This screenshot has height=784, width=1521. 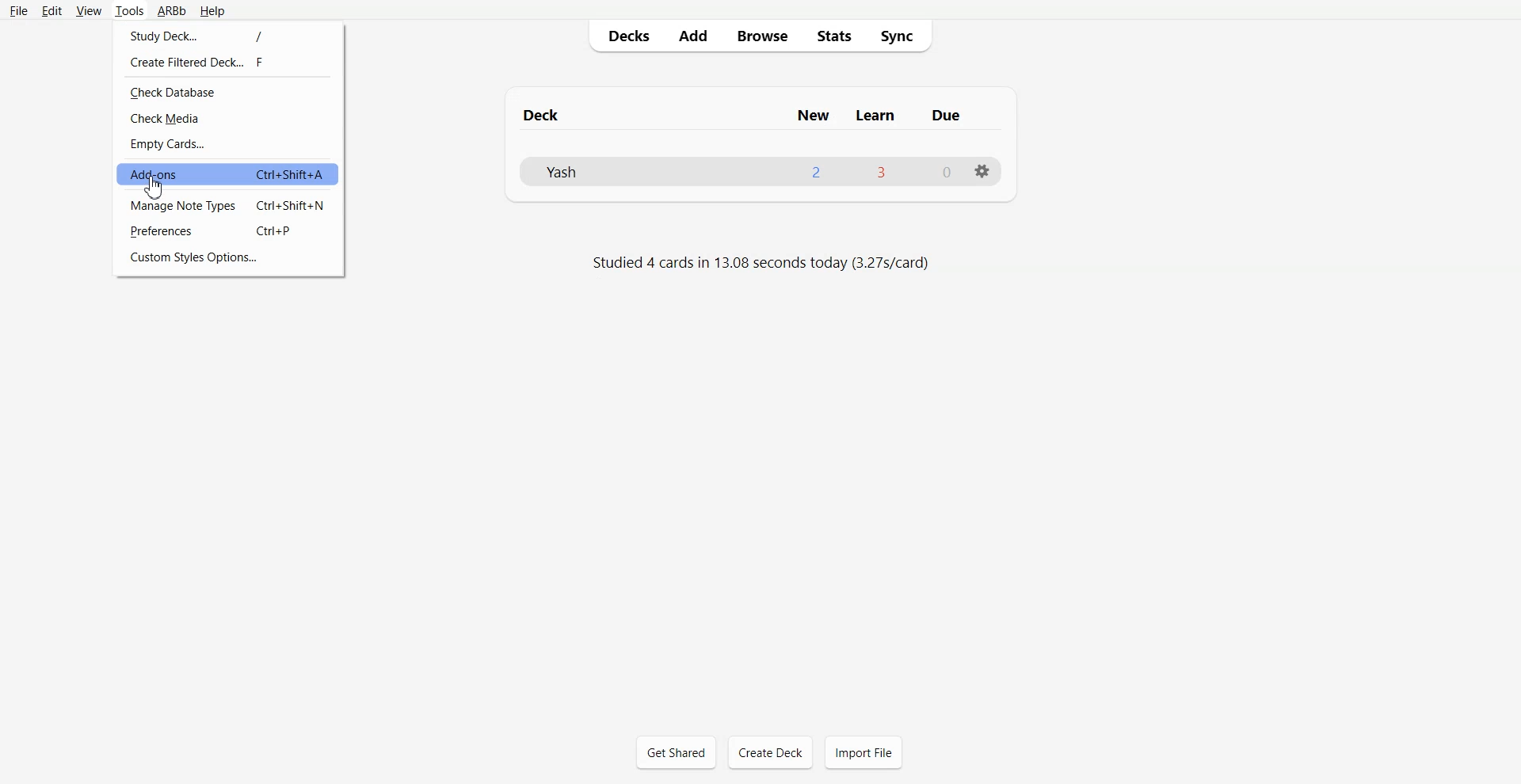 What do you see at coordinates (226, 62) in the screenshot?
I see `Created Filtered Deck` at bounding box center [226, 62].